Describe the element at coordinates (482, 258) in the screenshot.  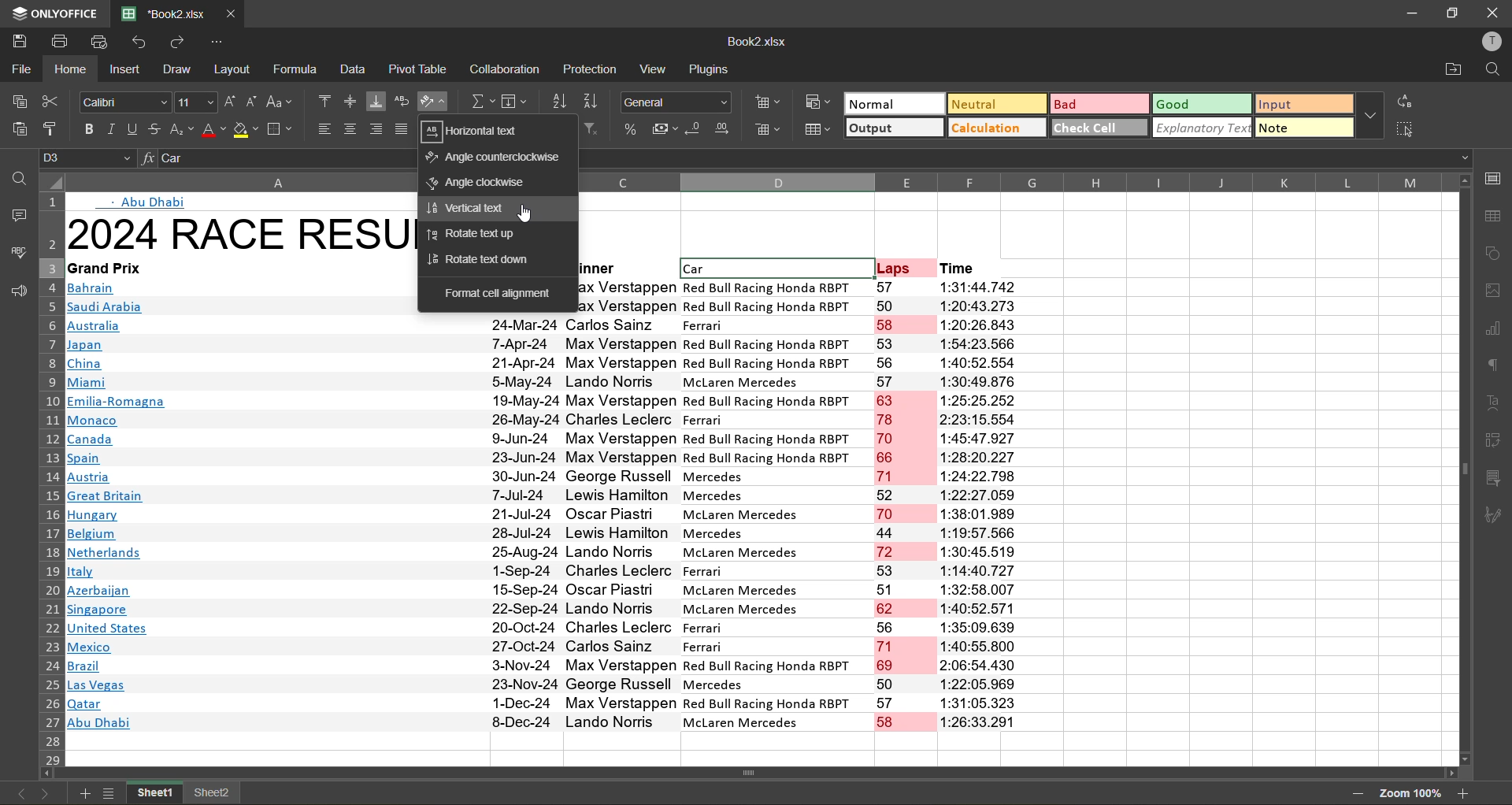
I see `rotate text down` at that location.